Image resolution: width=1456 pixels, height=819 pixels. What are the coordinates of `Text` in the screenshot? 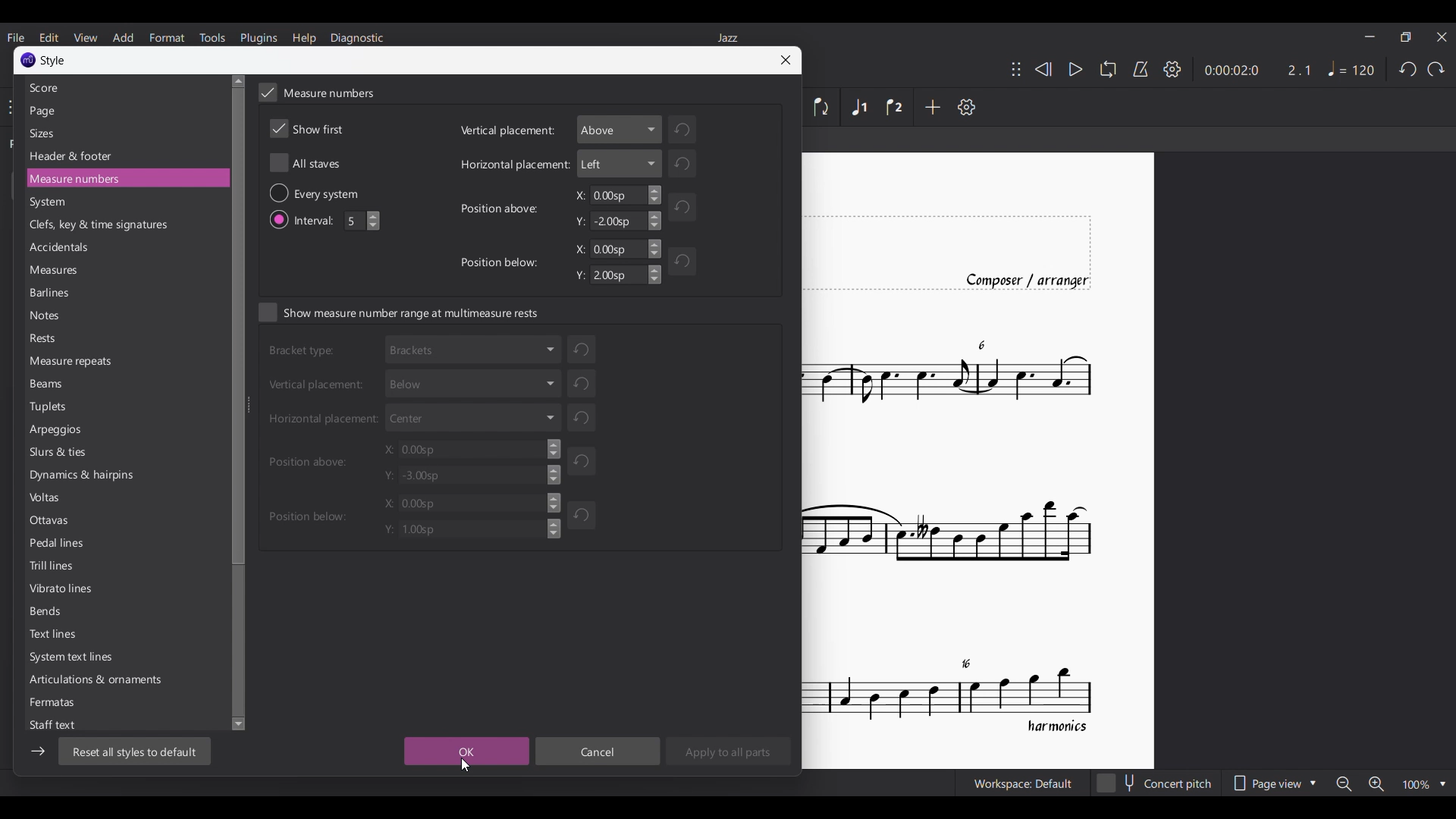 It's located at (55, 636).